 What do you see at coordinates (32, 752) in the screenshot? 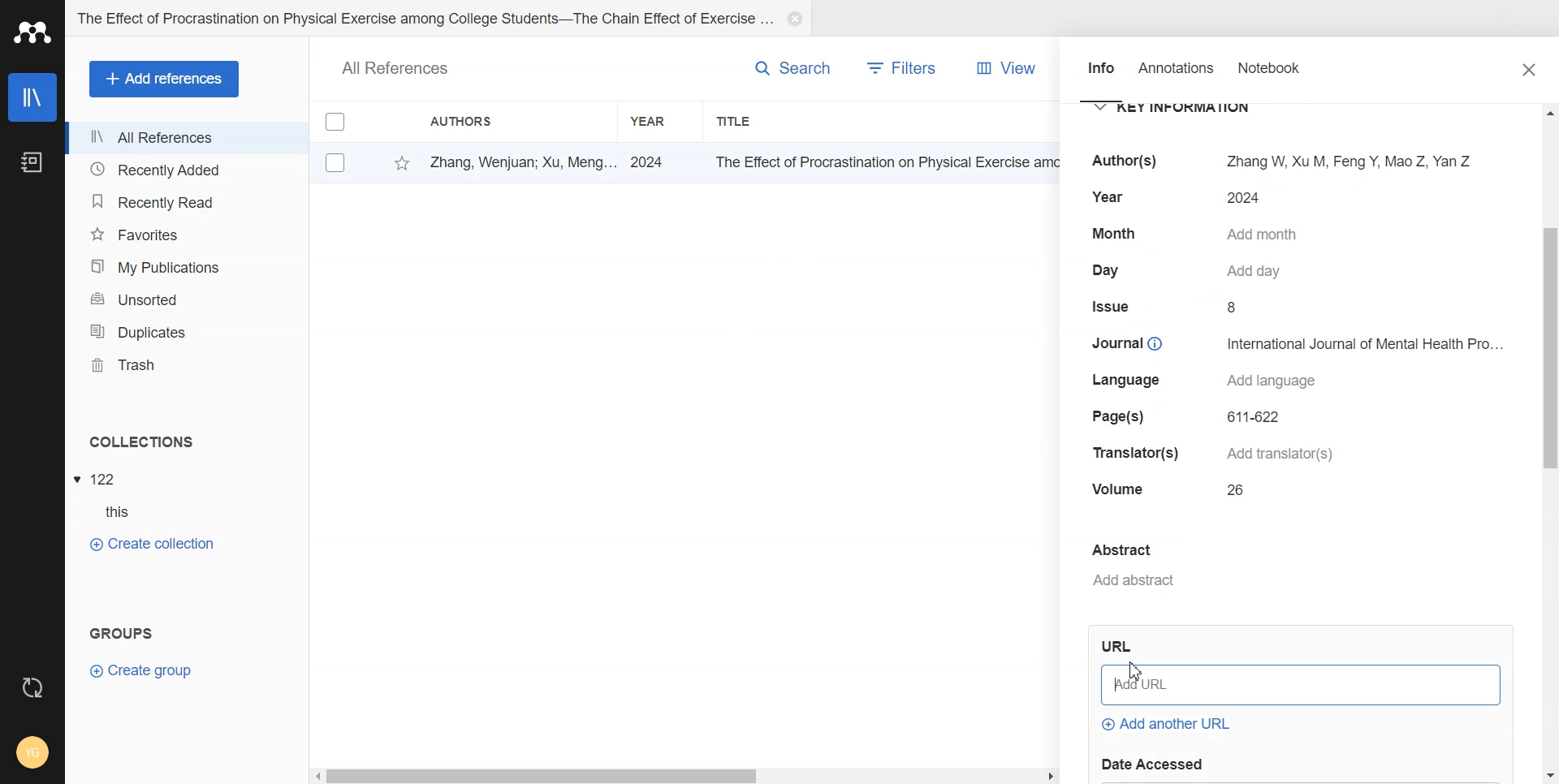
I see `Account` at bounding box center [32, 752].